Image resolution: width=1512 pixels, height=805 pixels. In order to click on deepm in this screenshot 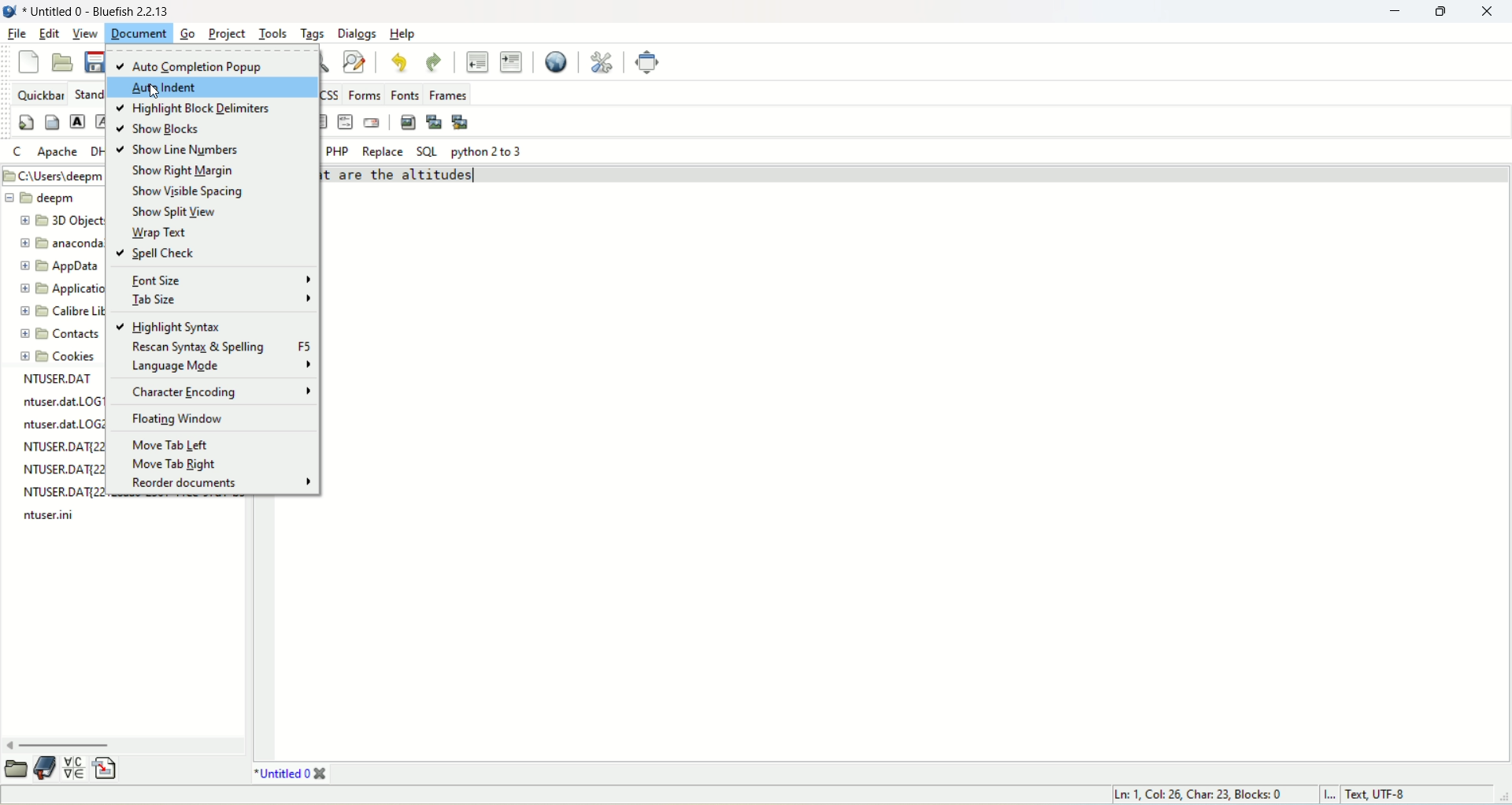, I will do `click(54, 197)`.